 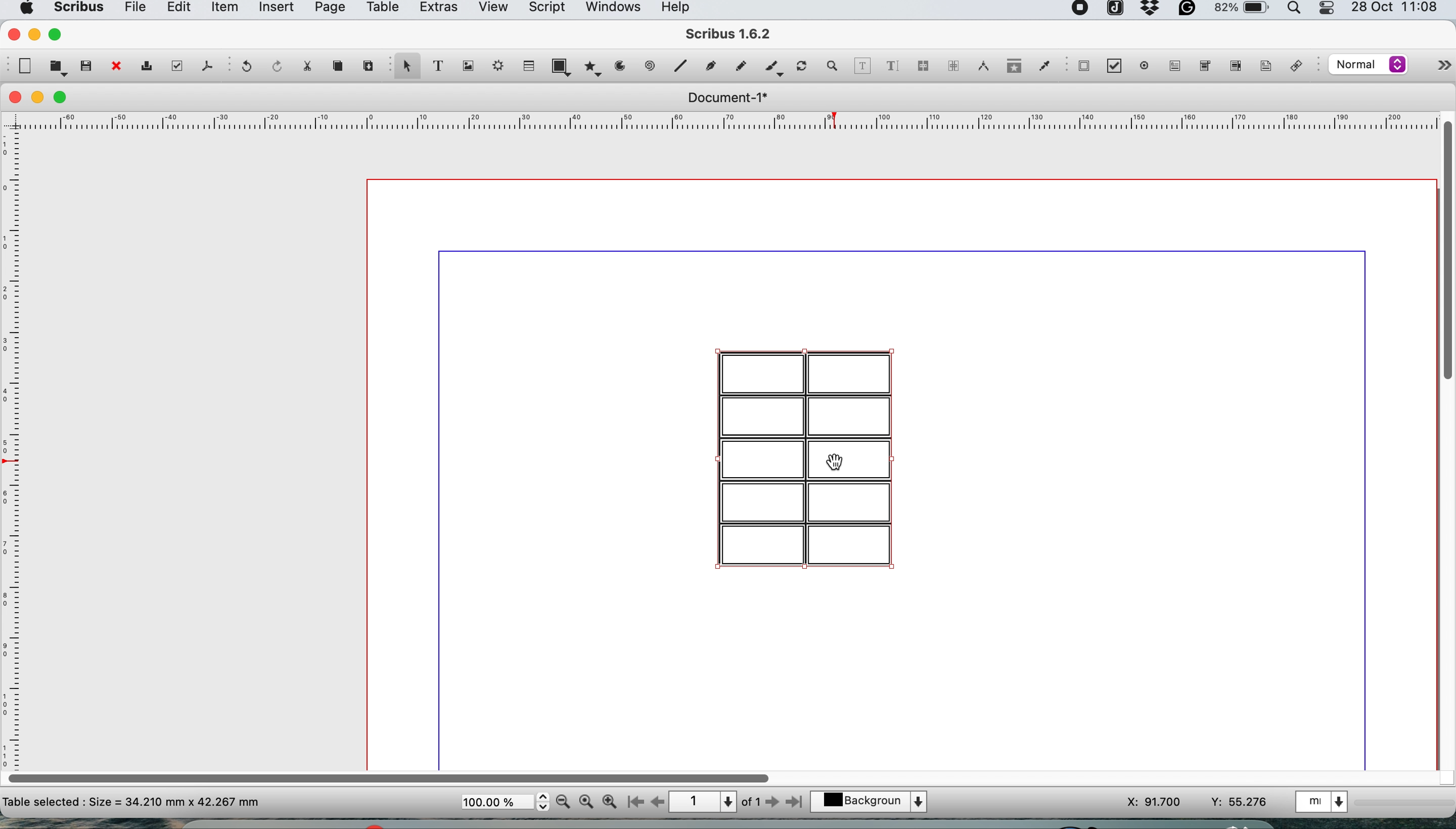 What do you see at coordinates (13, 97) in the screenshot?
I see `close` at bounding box center [13, 97].